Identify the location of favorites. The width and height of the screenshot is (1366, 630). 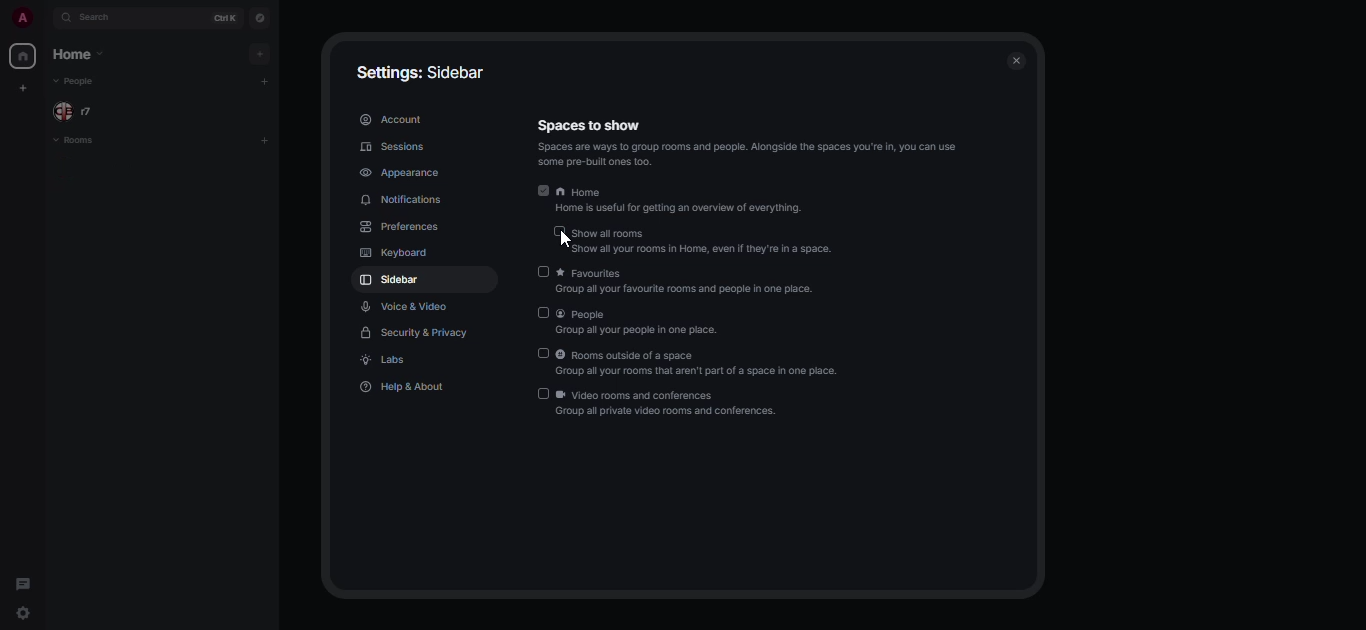
(692, 280).